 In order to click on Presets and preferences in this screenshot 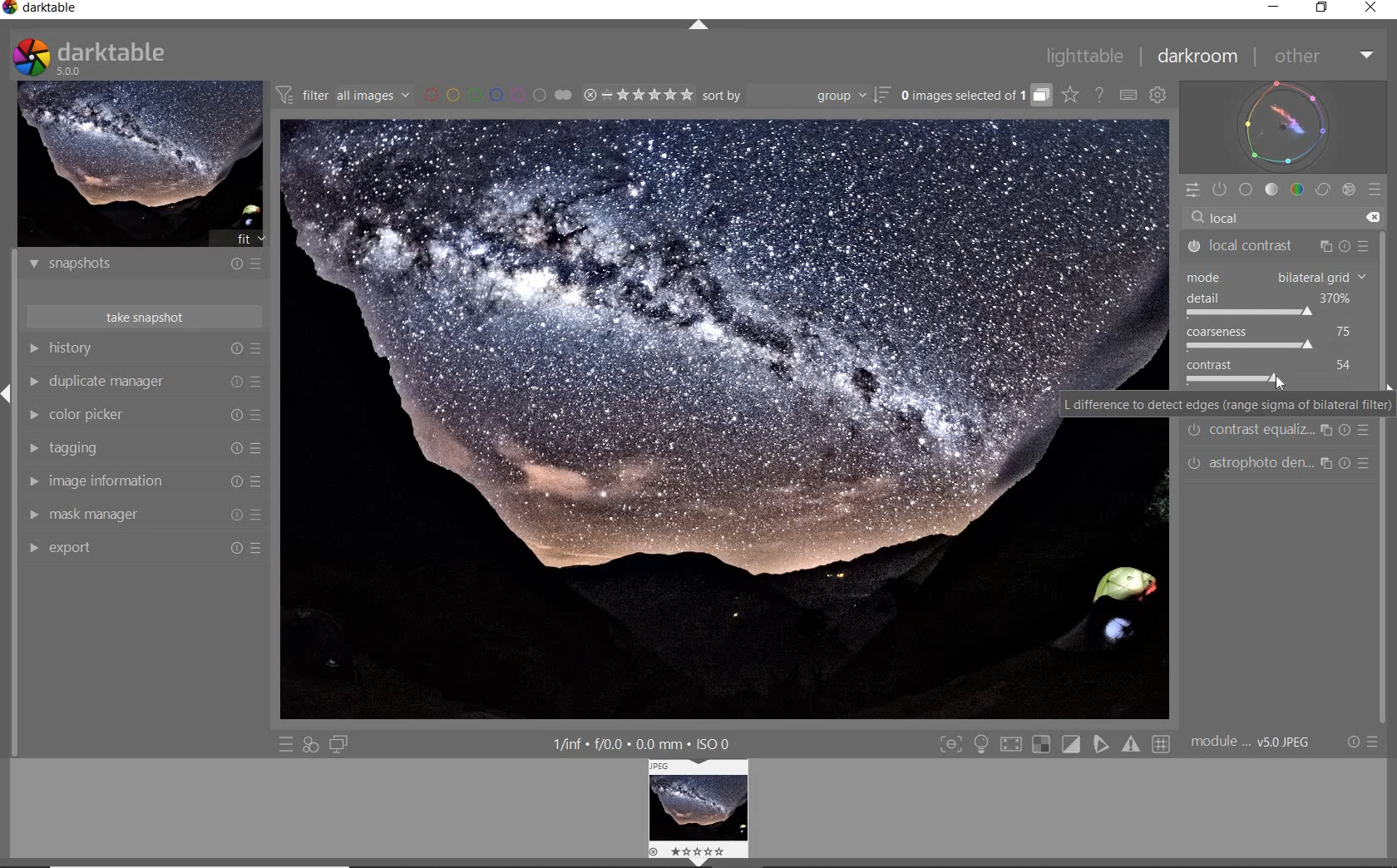, I will do `click(259, 417)`.